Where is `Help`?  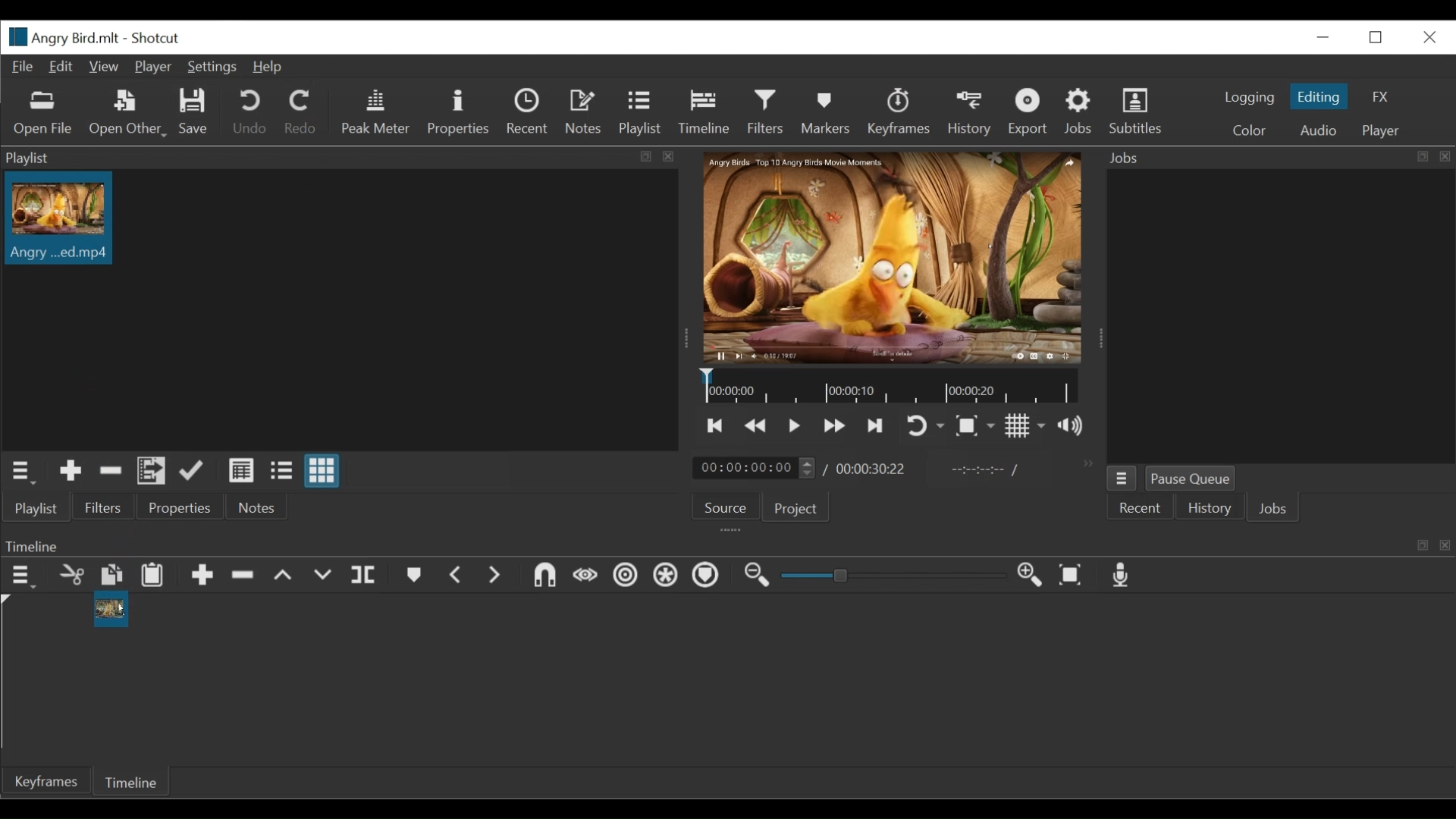 Help is located at coordinates (272, 67).